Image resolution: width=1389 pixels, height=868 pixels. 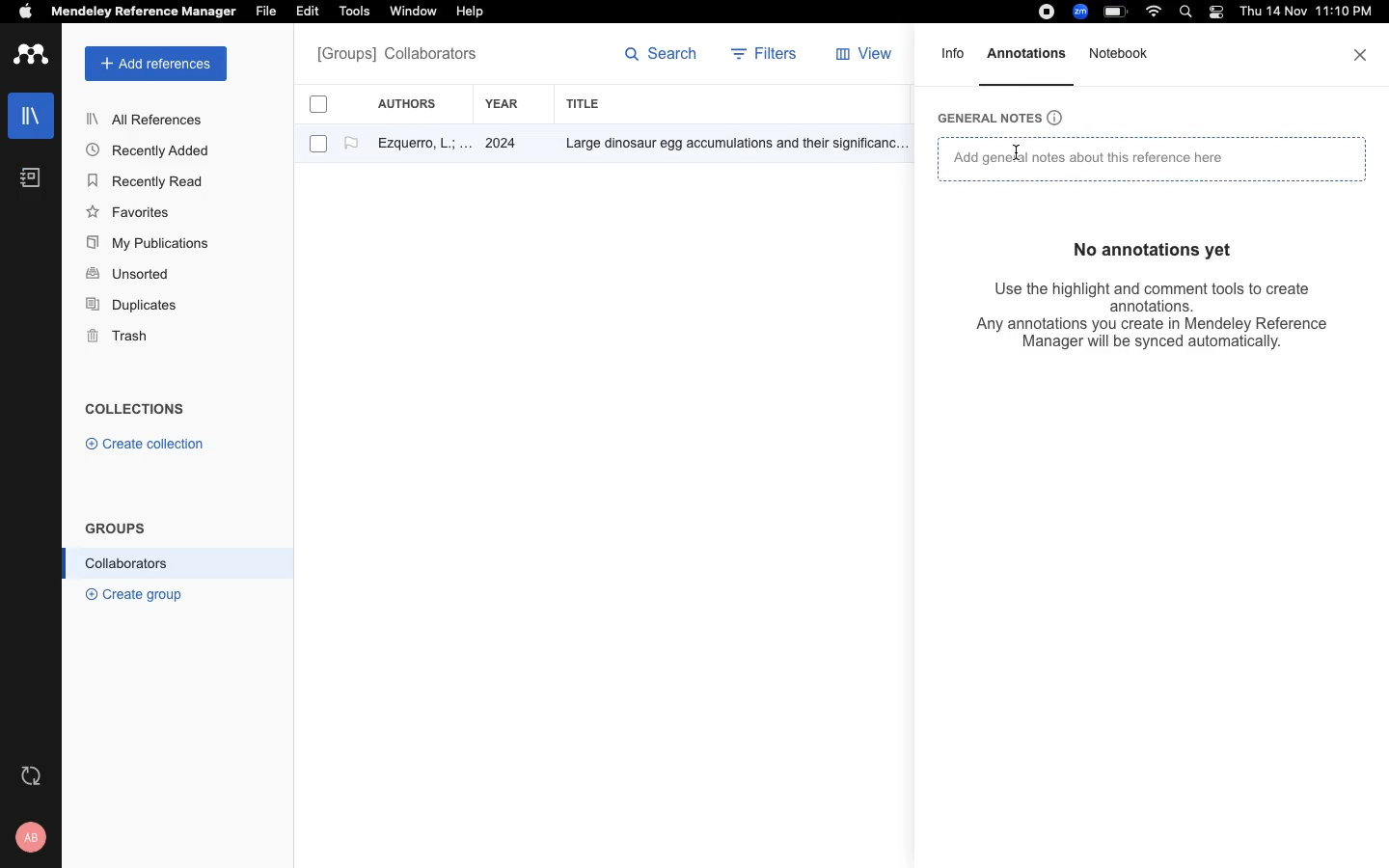 What do you see at coordinates (34, 775) in the screenshot?
I see `refresh` at bounding box center [34, 775].